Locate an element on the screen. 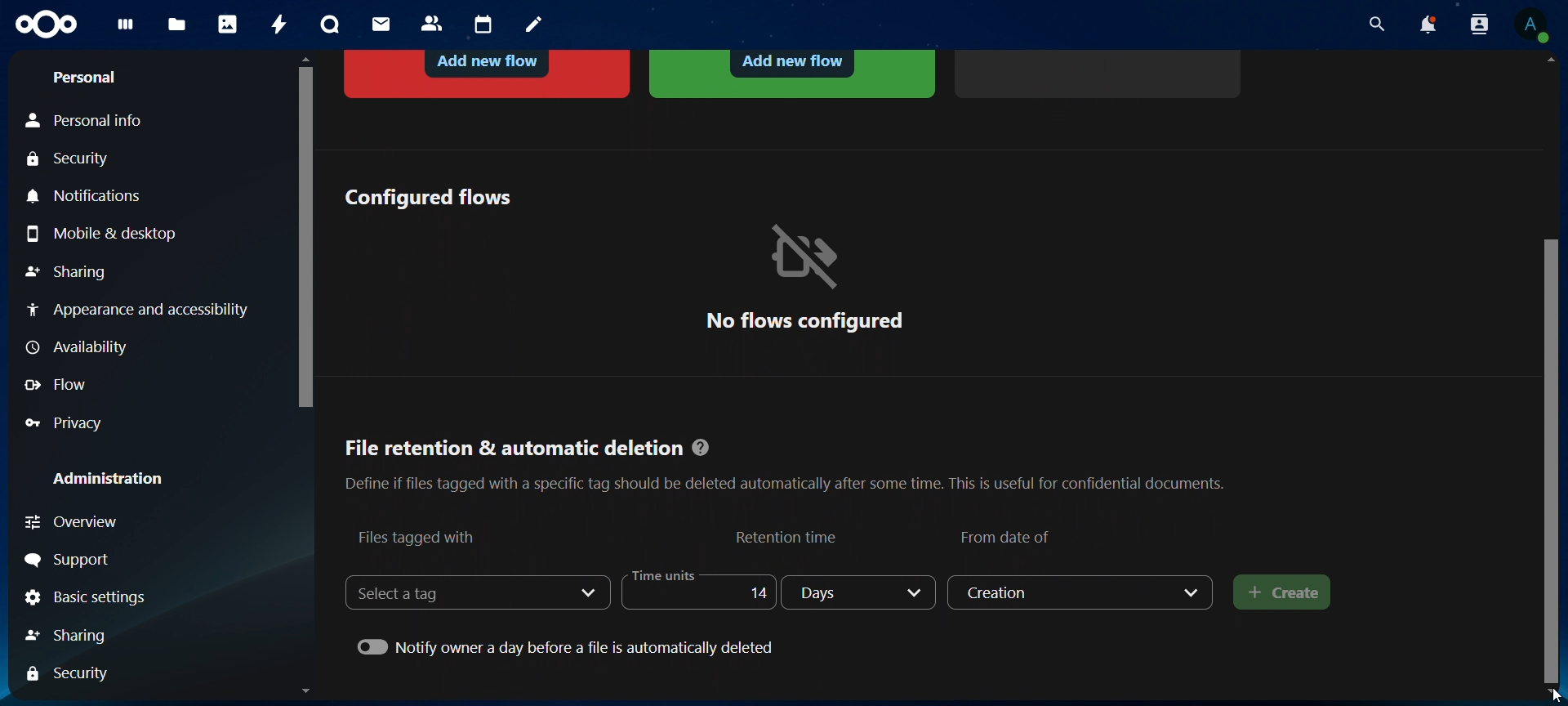 Image resolution: width=1568 pixels, height=706 pixels. photos is located at coordinates (228, 24).